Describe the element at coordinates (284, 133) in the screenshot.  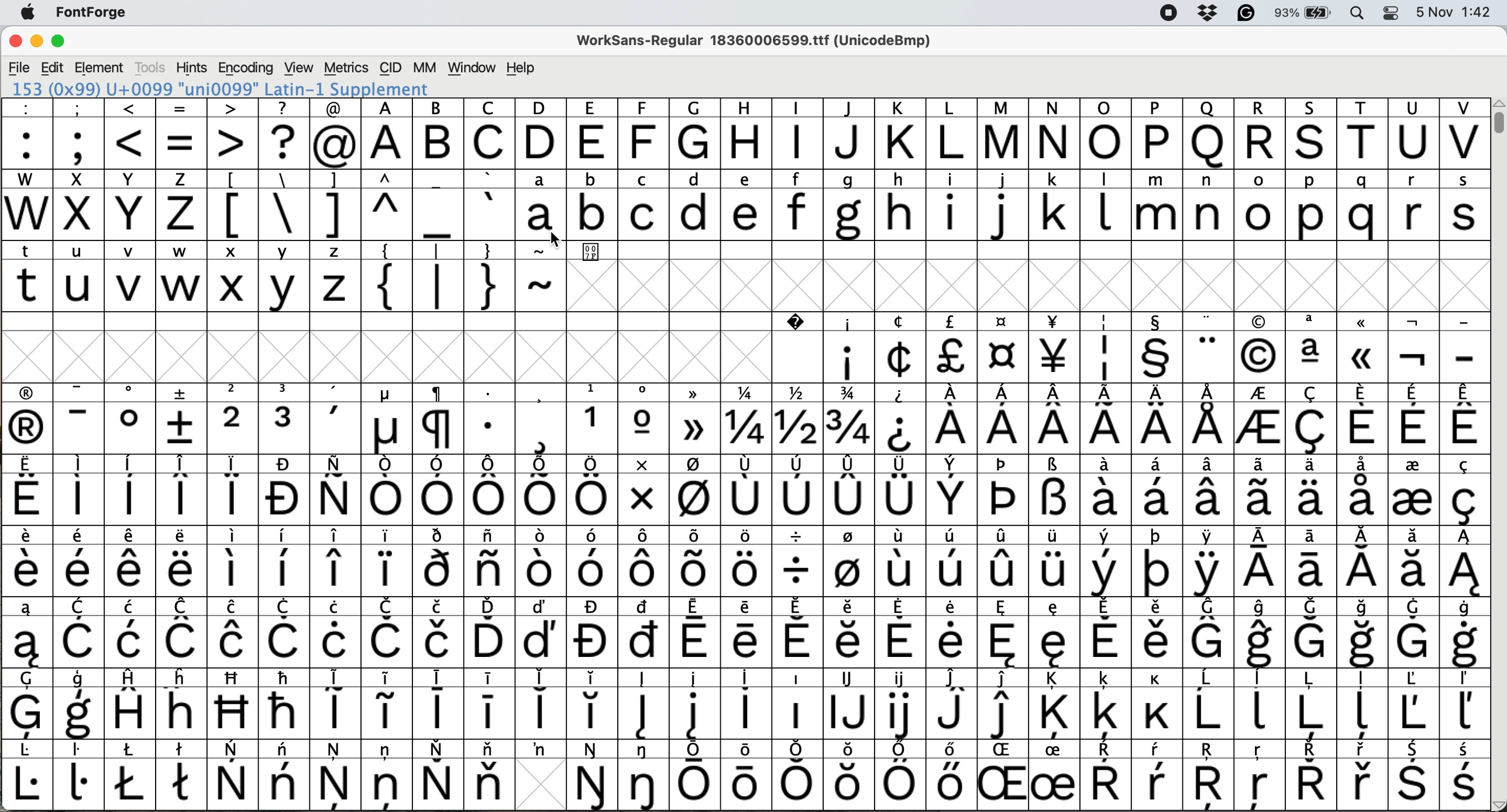
I see `?` at that location.